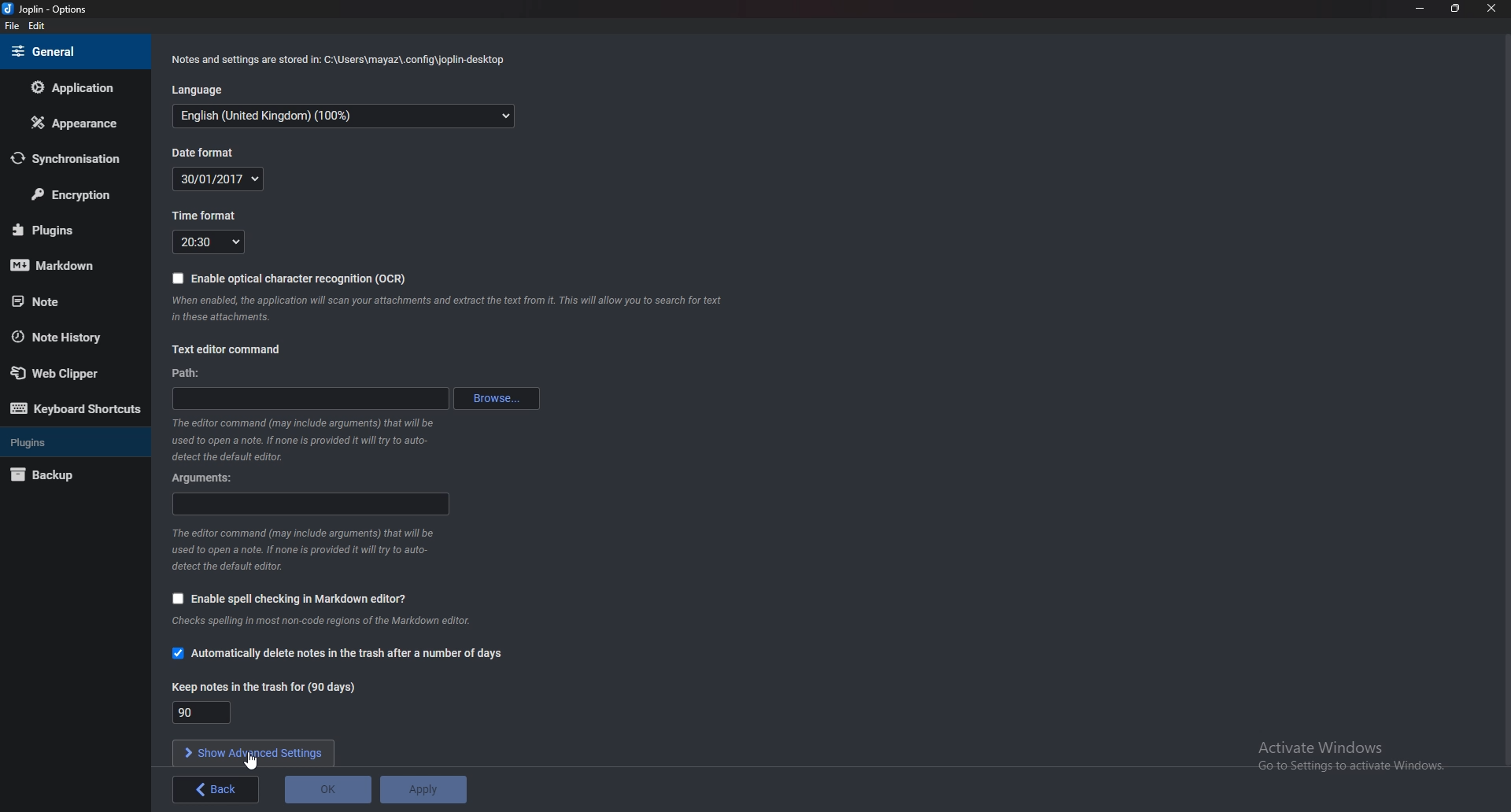 This screenshot has width=1511, height=812. I want to click on plugins, so click(71, 441).